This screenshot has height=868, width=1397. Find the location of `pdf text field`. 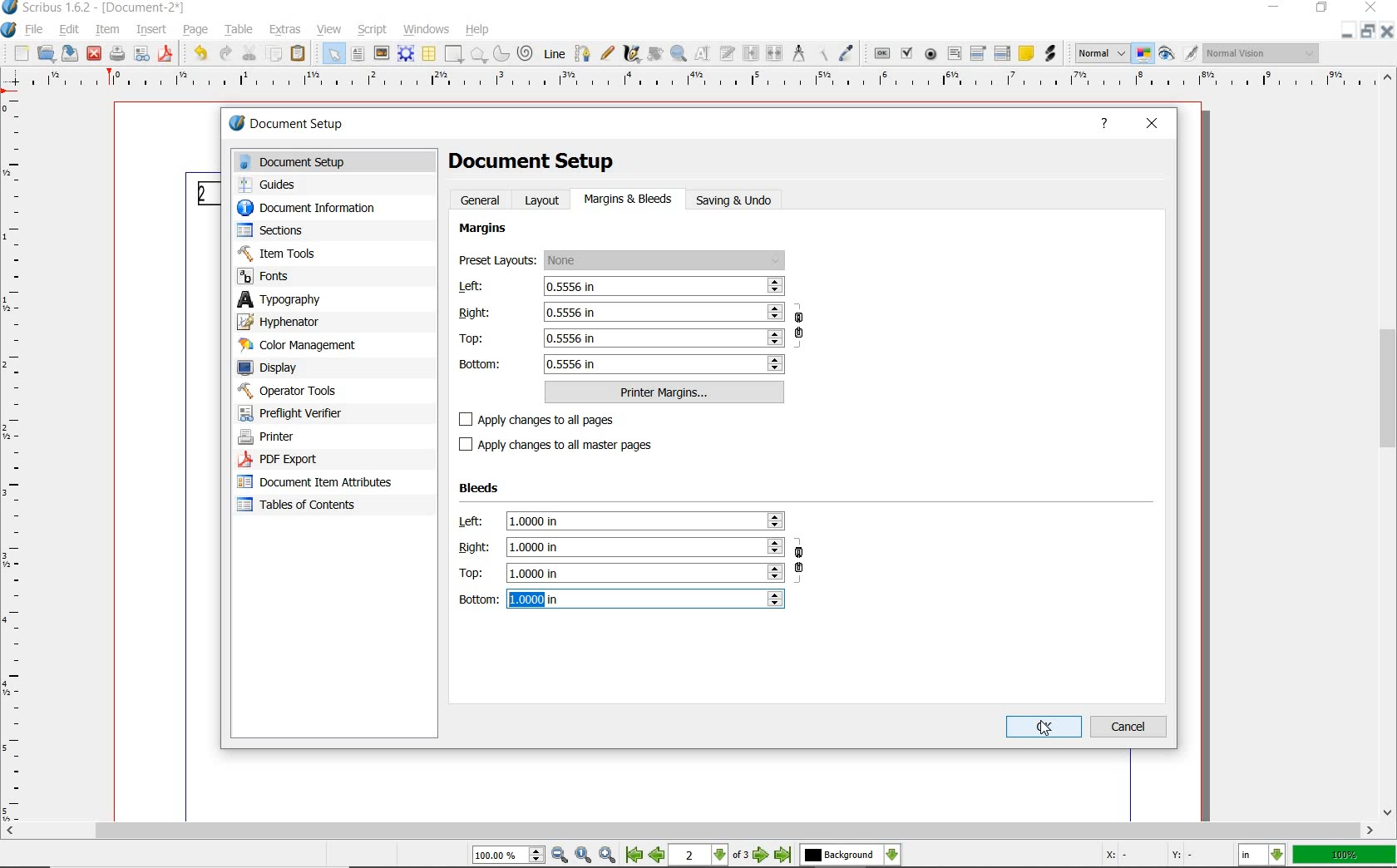

pdf text field is located at coordinates (954, 53).